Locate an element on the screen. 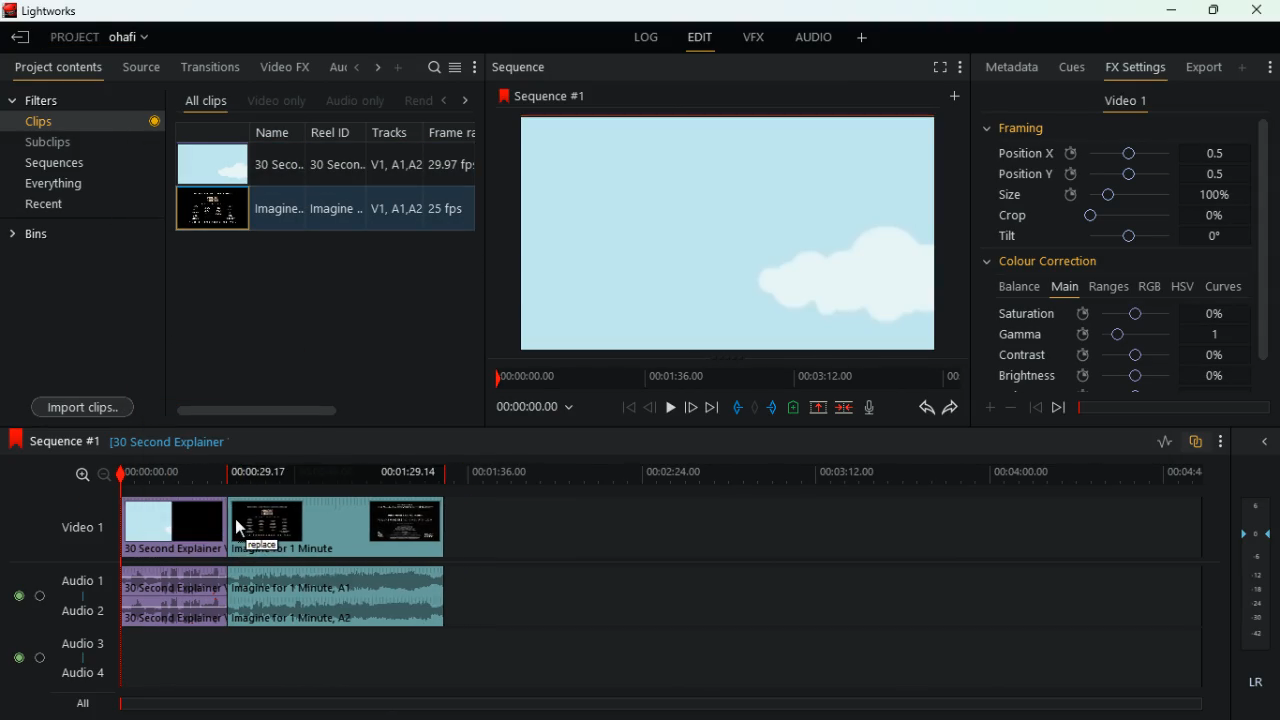  export is located at coordinates (1202, 68).